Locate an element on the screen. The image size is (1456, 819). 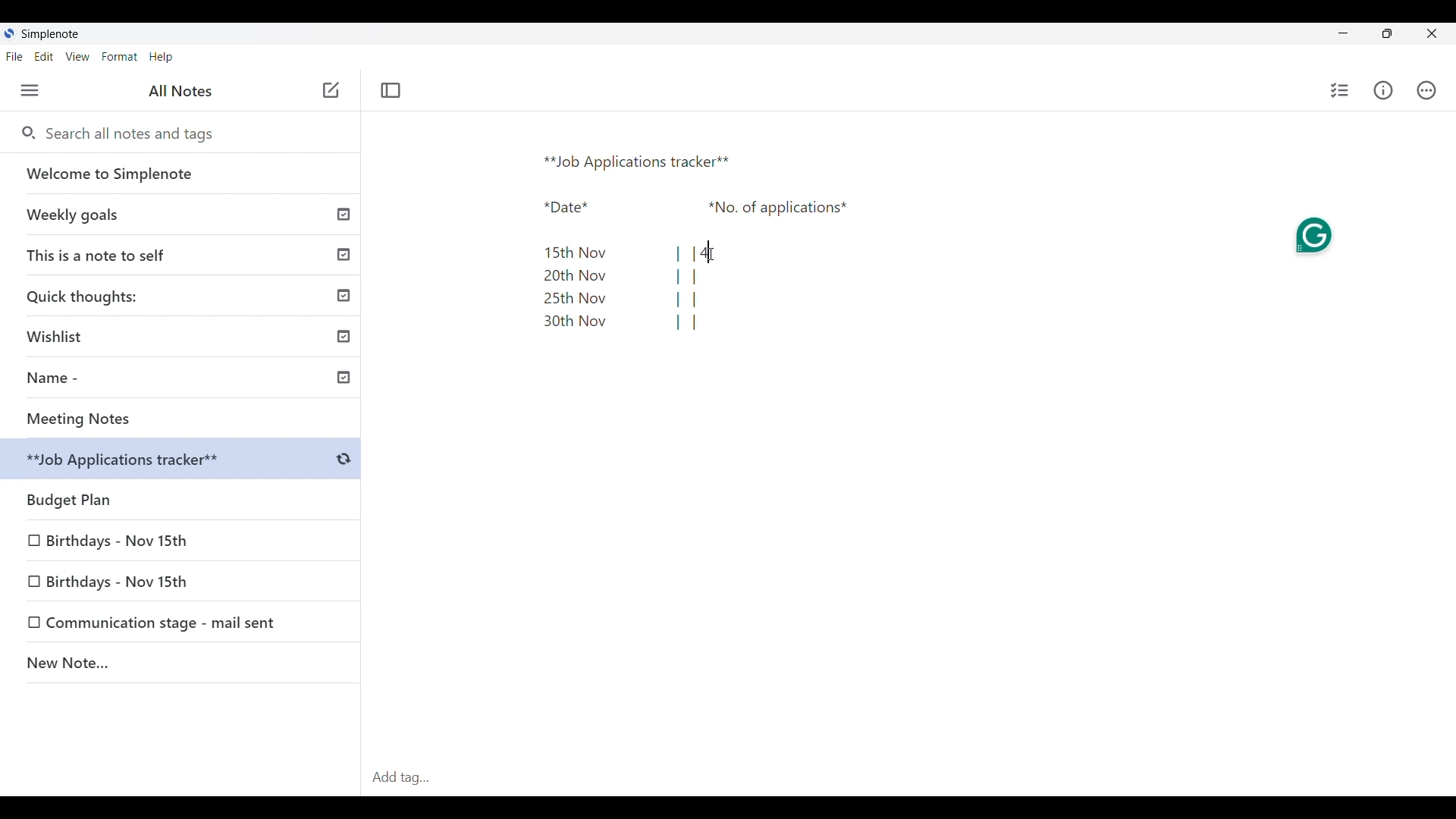
Info is located at coordinates (1384, 90).